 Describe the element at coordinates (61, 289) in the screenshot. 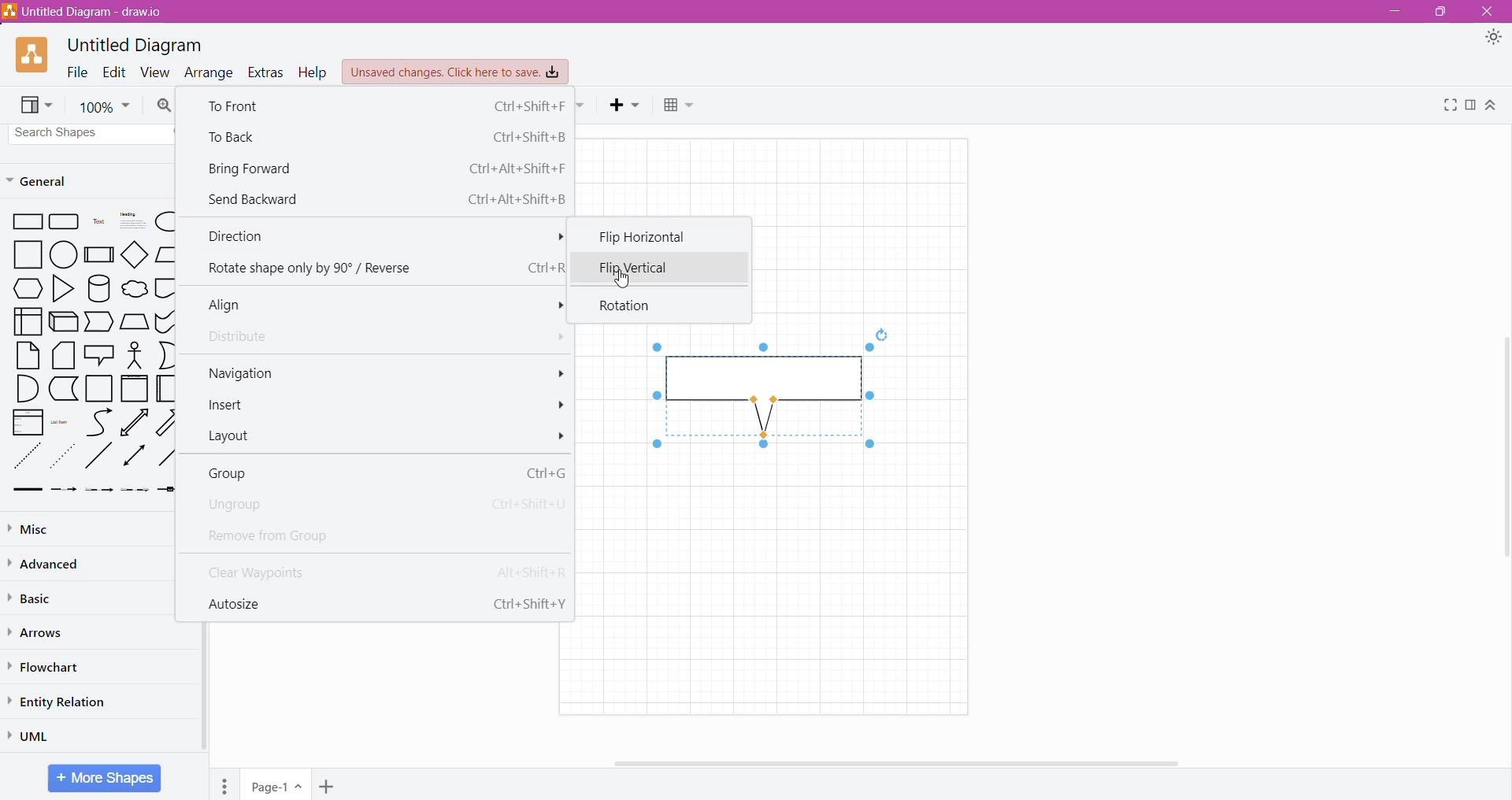

I see `triangle` at that location.